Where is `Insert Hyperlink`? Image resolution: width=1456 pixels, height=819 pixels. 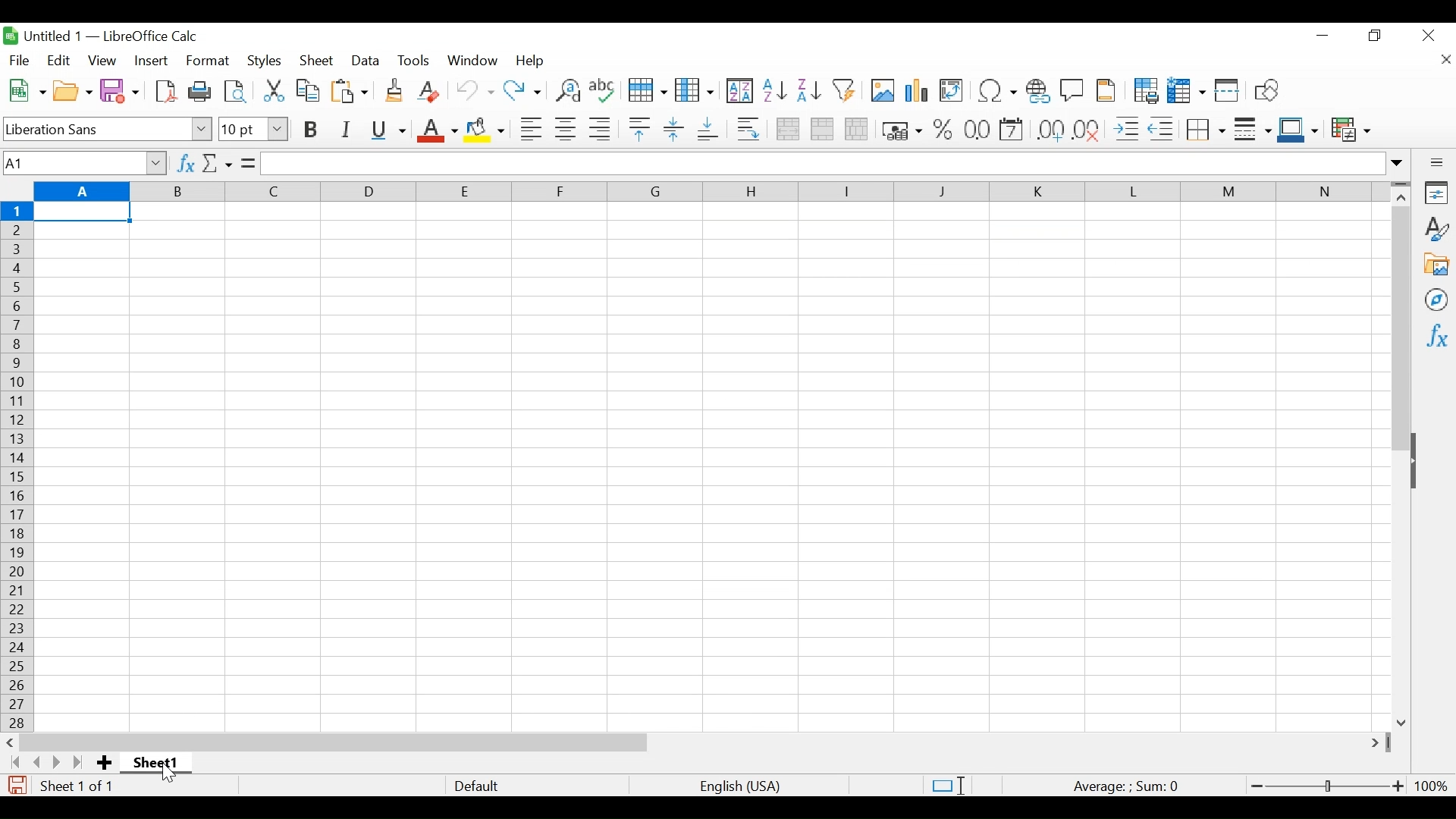
Insert Hyperlink is located at coordinates (1038, 93).